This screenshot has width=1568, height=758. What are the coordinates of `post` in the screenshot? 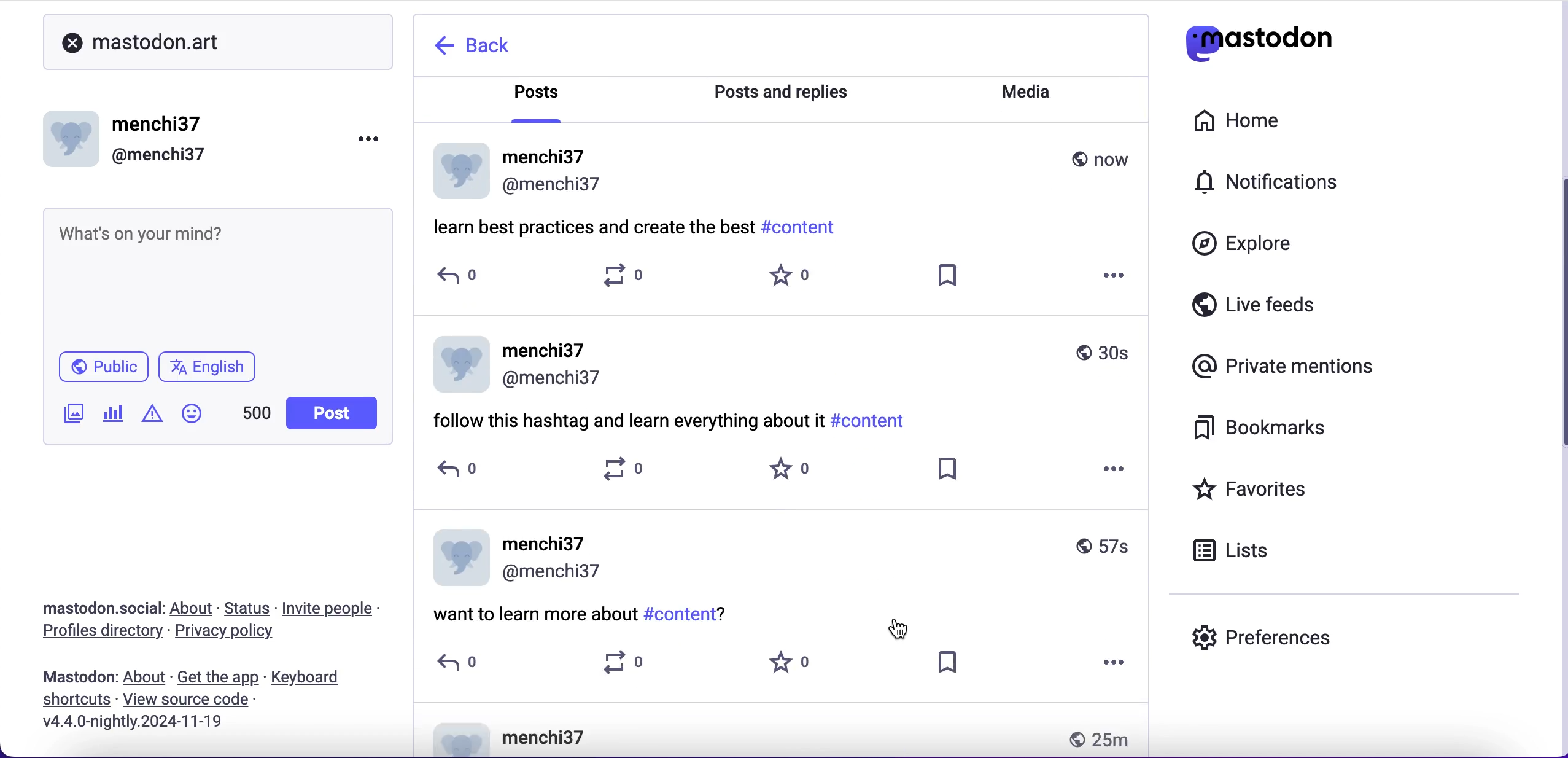 It's located at (535, 612).